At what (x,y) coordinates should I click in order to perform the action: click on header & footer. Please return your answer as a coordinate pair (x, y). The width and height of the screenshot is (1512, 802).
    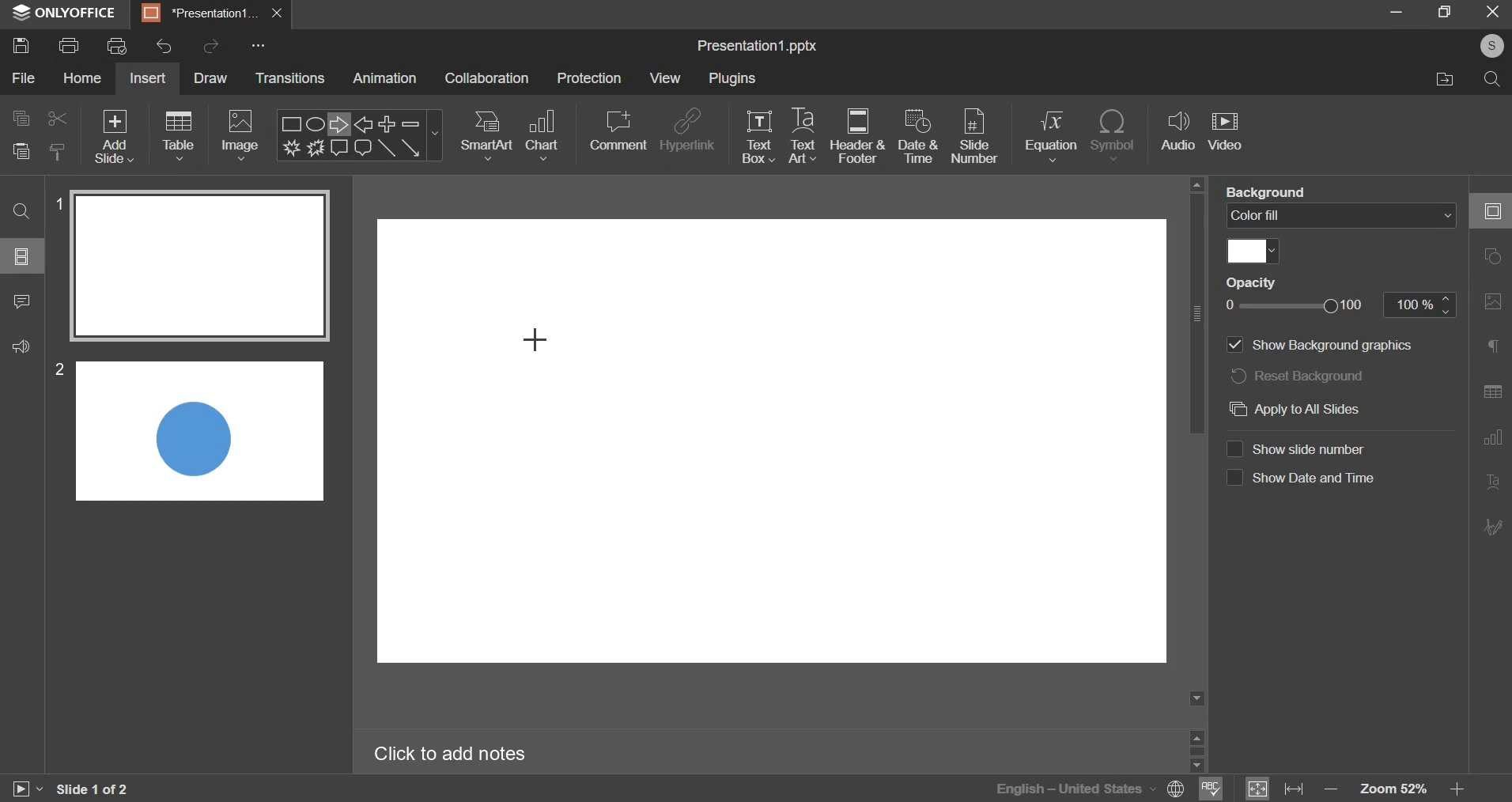
    Looking at the image, I should click on (857, 134).